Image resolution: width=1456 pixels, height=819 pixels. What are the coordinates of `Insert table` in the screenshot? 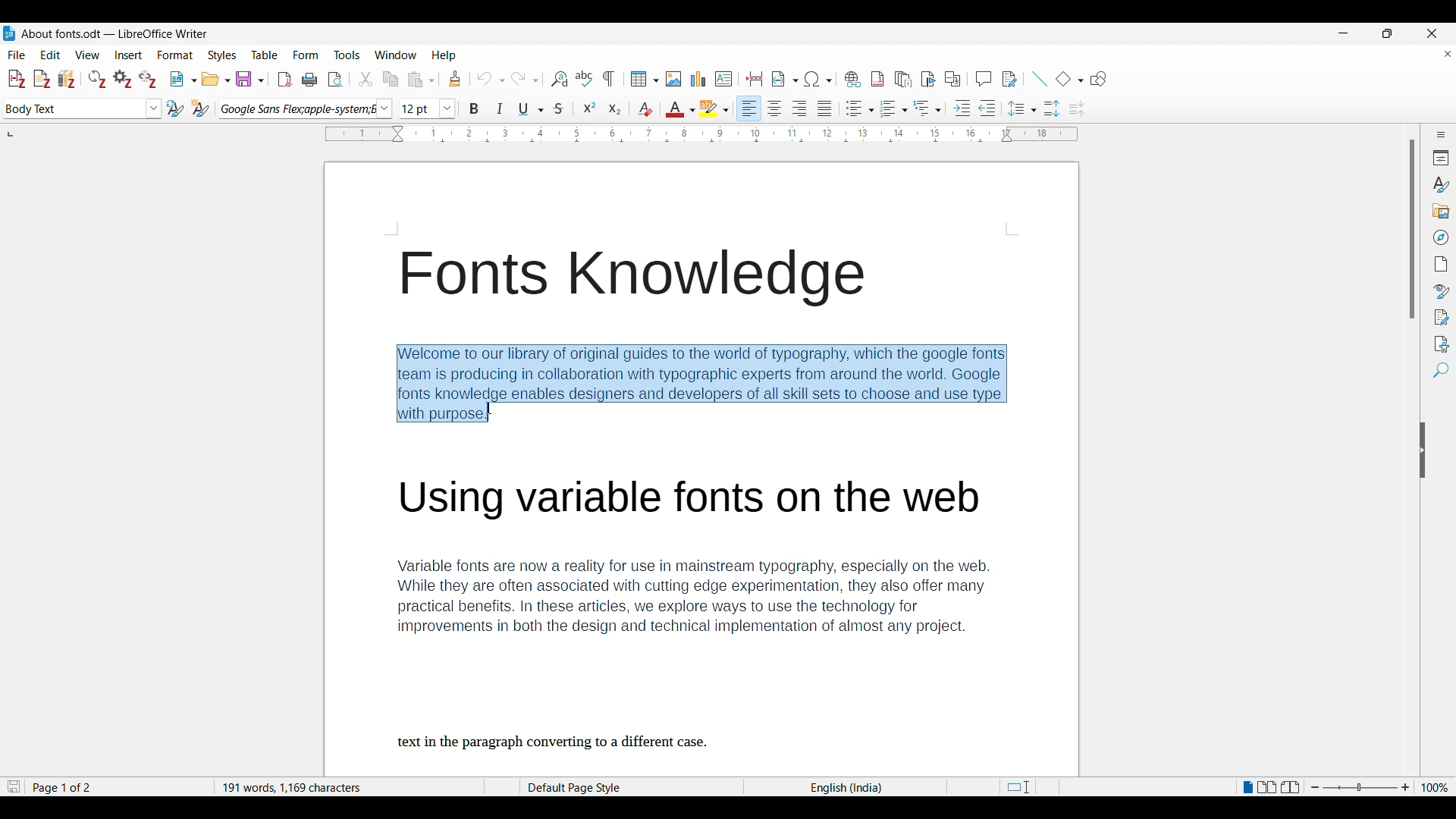 It's located at (645, 79).